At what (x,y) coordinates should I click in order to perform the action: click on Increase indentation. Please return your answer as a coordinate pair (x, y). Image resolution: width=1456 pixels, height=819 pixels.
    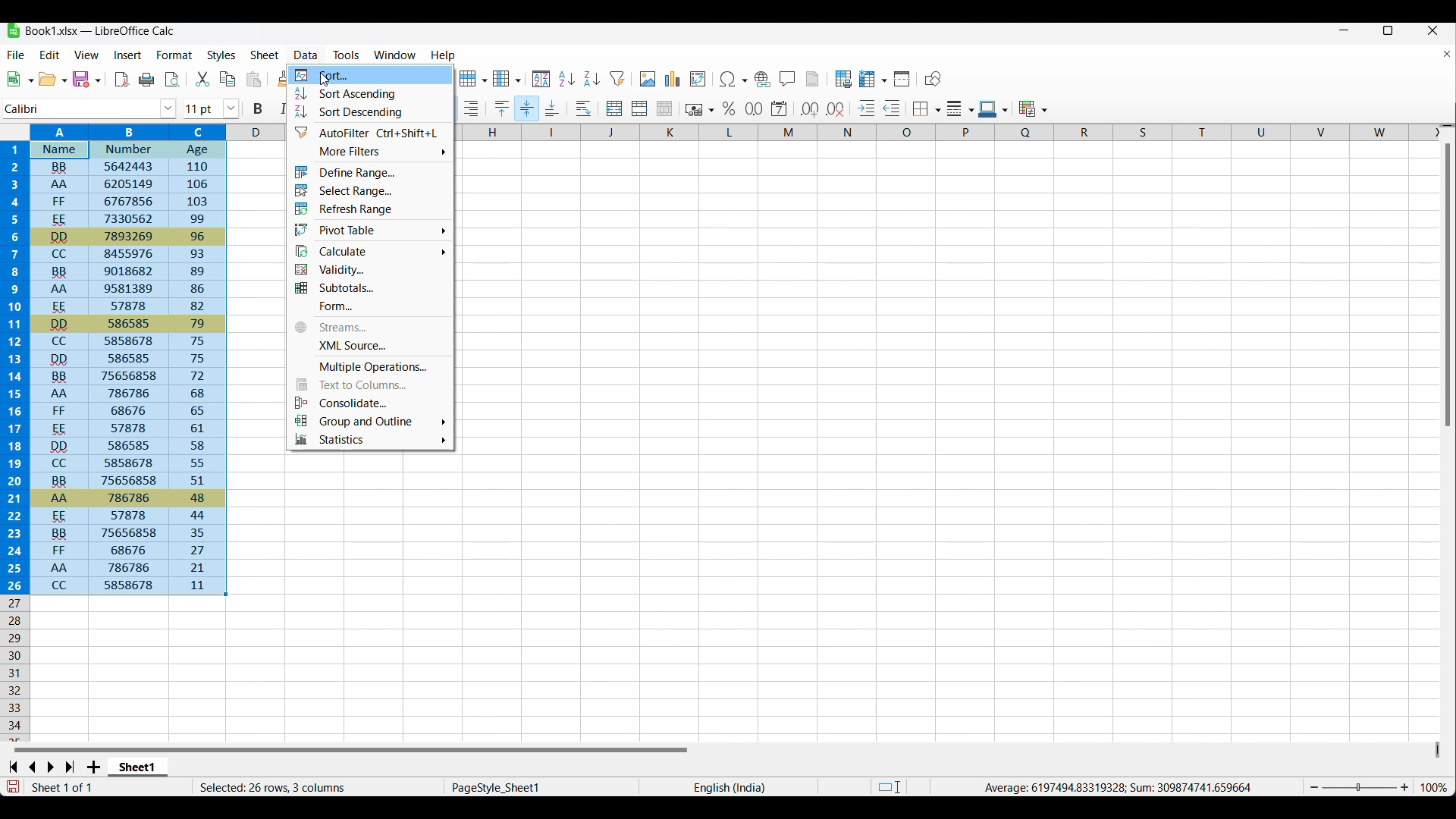
    Looking at the image, I should click on (868, 108).